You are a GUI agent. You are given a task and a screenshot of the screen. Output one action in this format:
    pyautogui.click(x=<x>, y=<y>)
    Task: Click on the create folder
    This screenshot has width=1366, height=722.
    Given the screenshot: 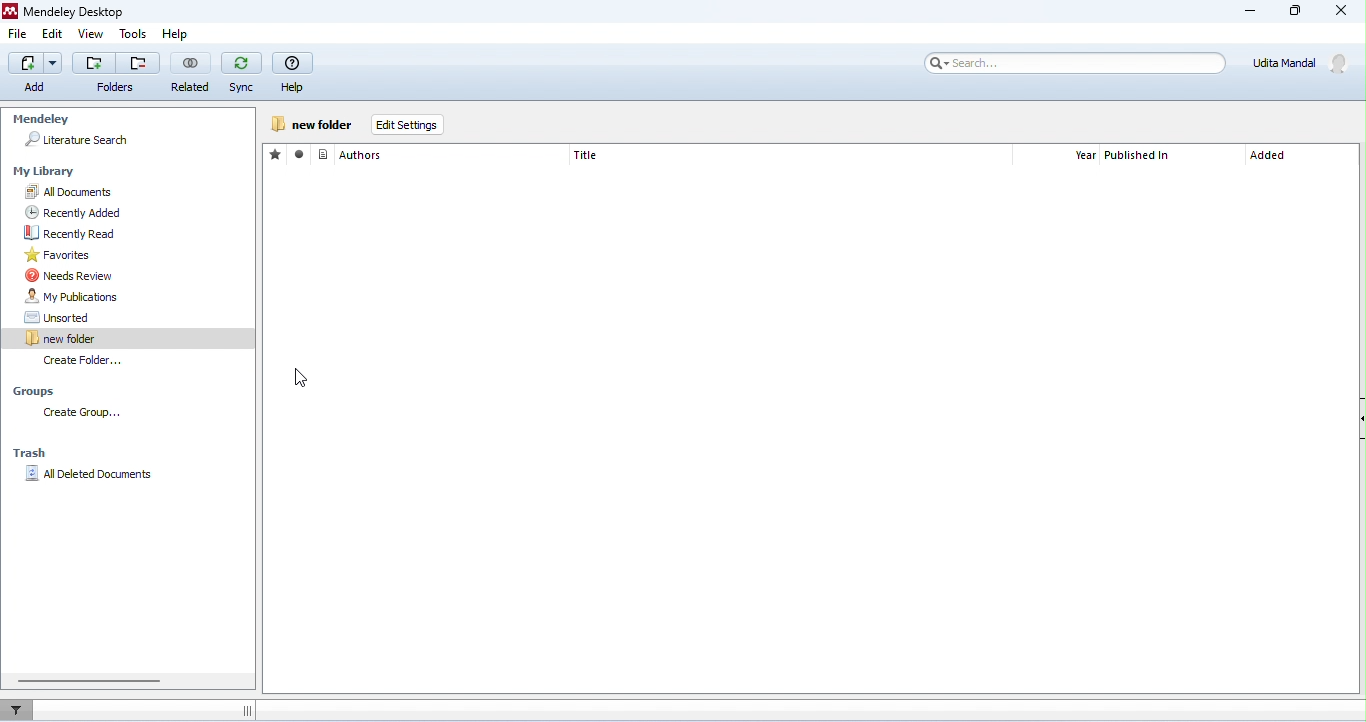 What is the action you would take?
    pyautogui.click(x=312, y=124)
    